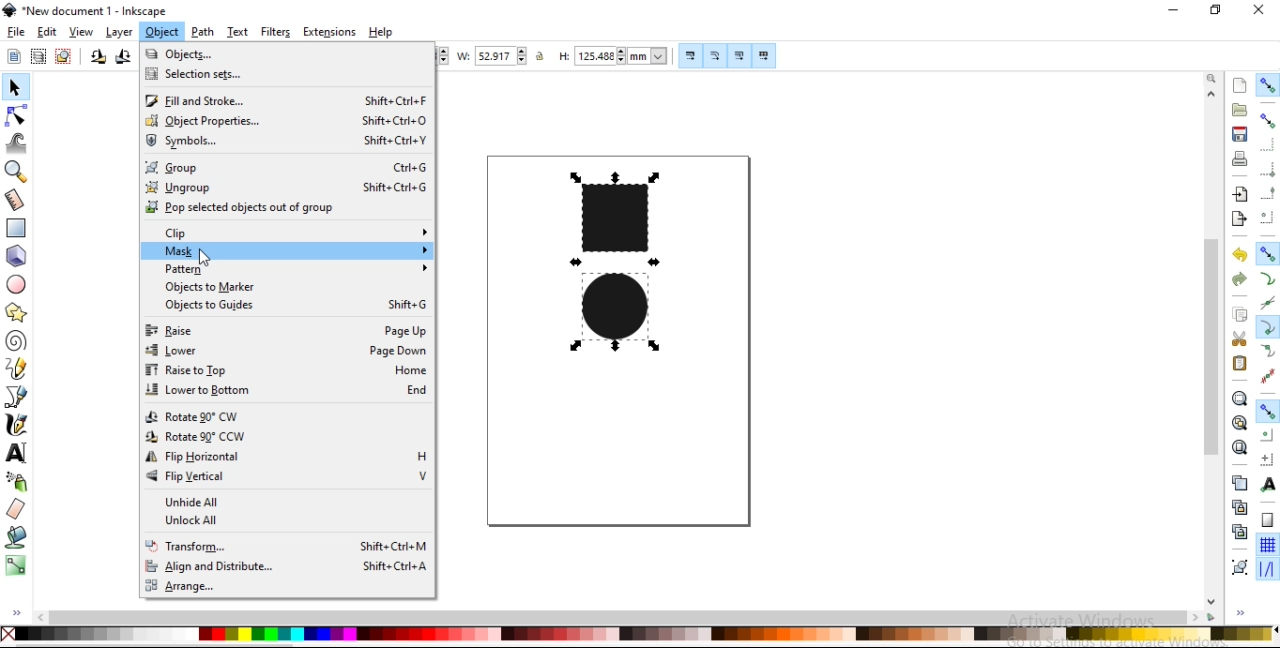 This screenshot has height=648, width=1280. Describe the element at coordinates (716, 57) in the screenshot. I see `scale radii of rounded corners` at that location.